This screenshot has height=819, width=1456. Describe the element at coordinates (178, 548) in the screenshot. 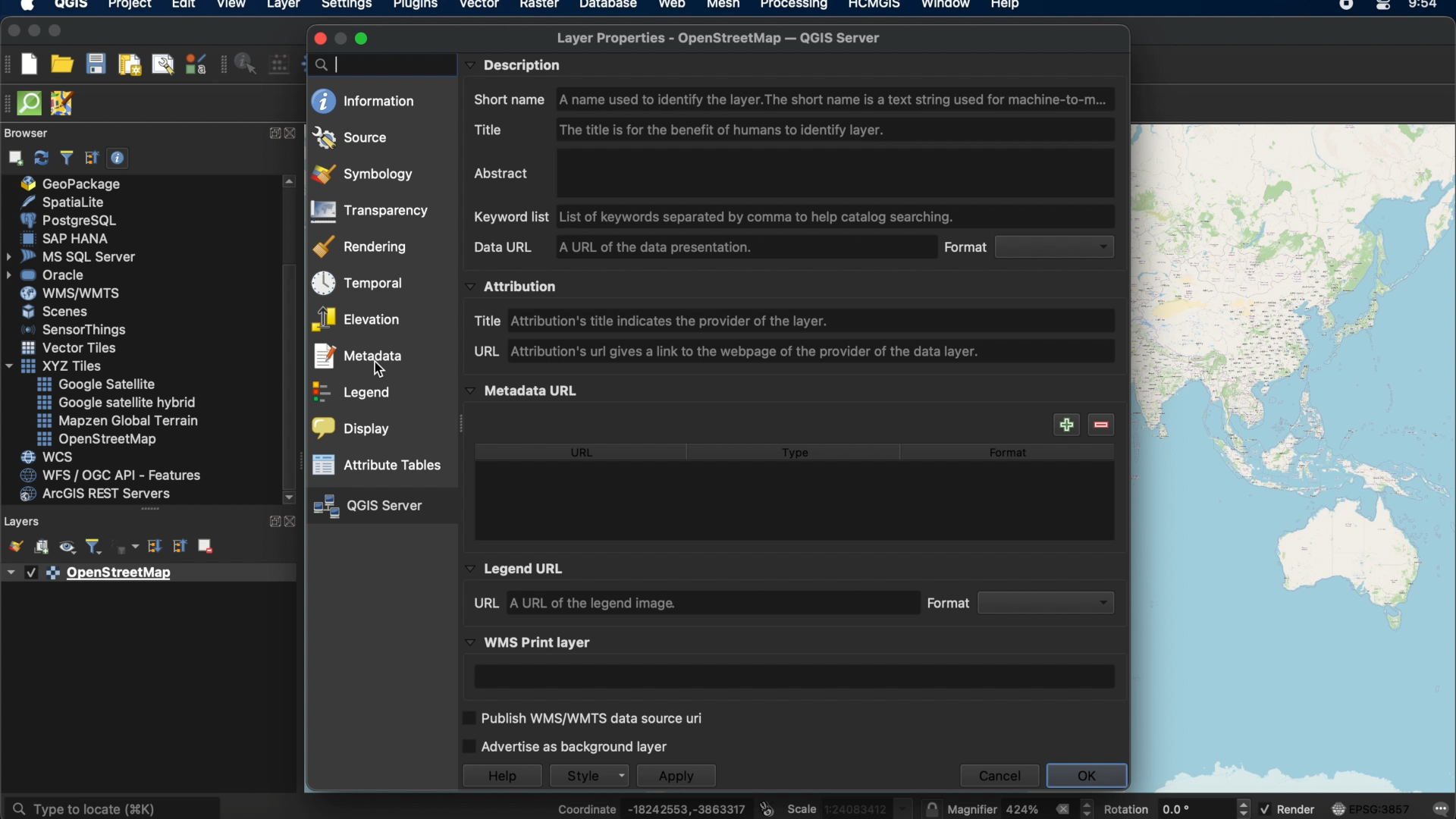

I see `collapse all` at that location.